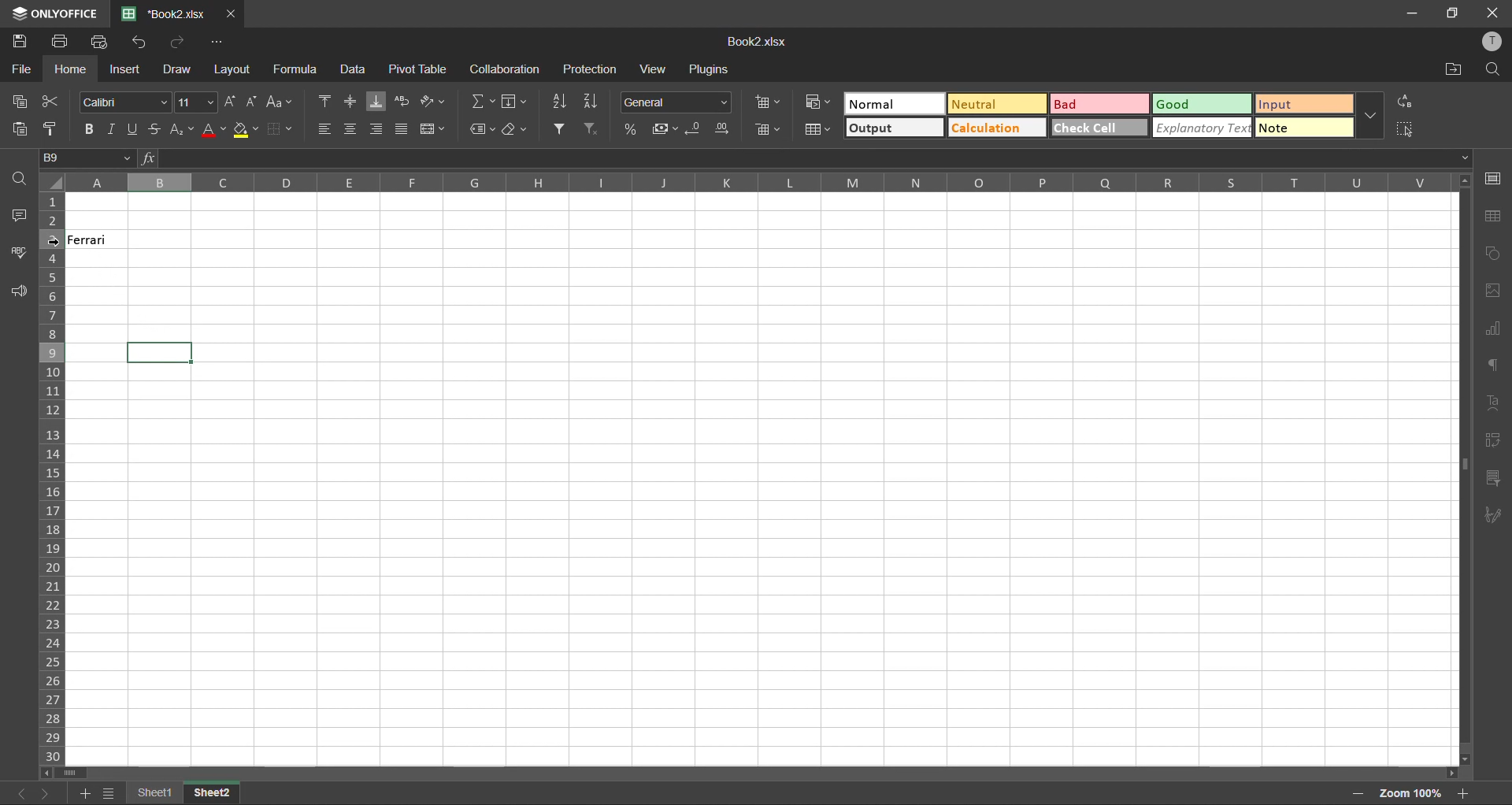  Describe the element at coordinates (1410, 133) in the screenshot. I see `select all` at that location.